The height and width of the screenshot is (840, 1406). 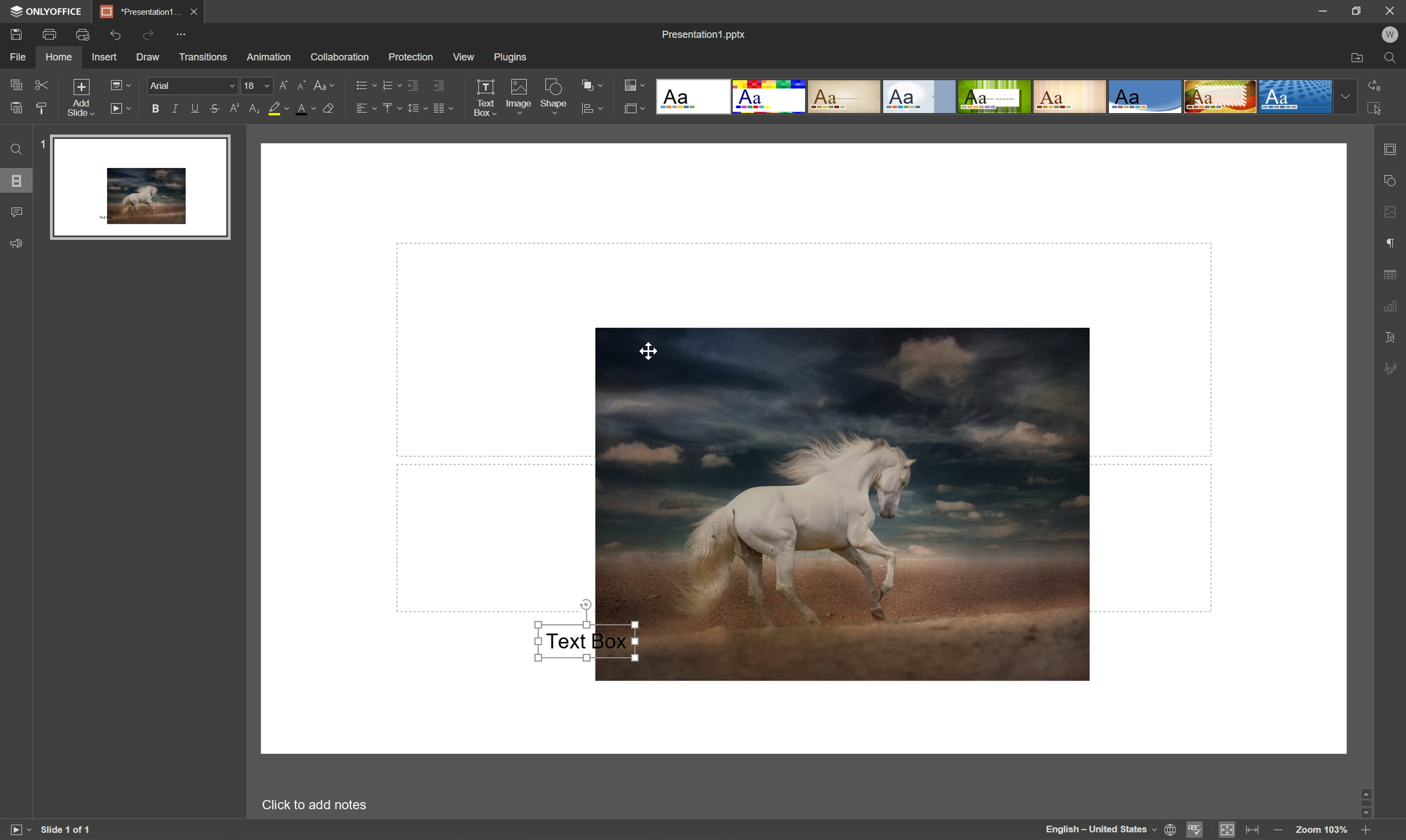 I want to click on ONLYOFFICE, so click(x=49, y=11).